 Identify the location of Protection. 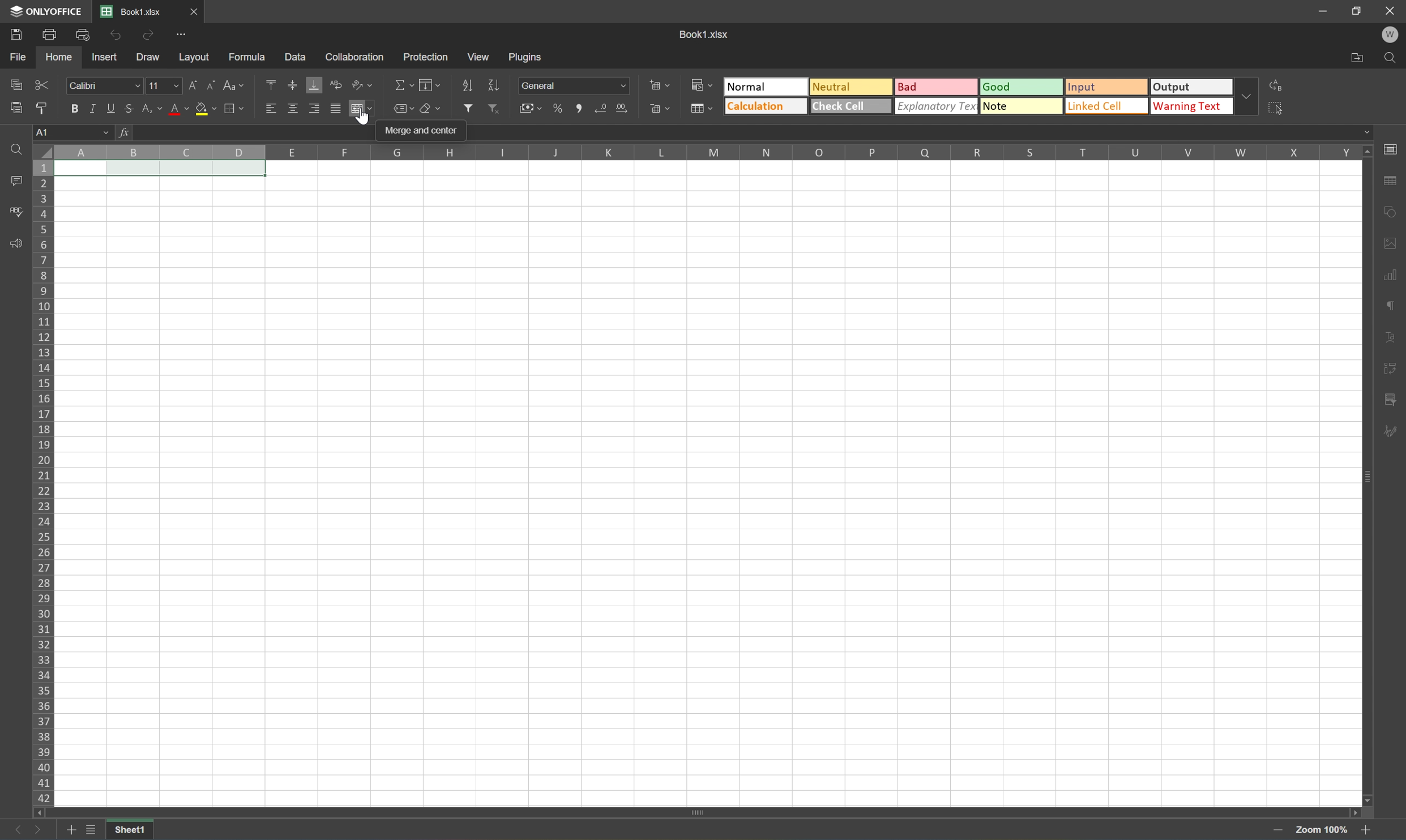
(425, 57).